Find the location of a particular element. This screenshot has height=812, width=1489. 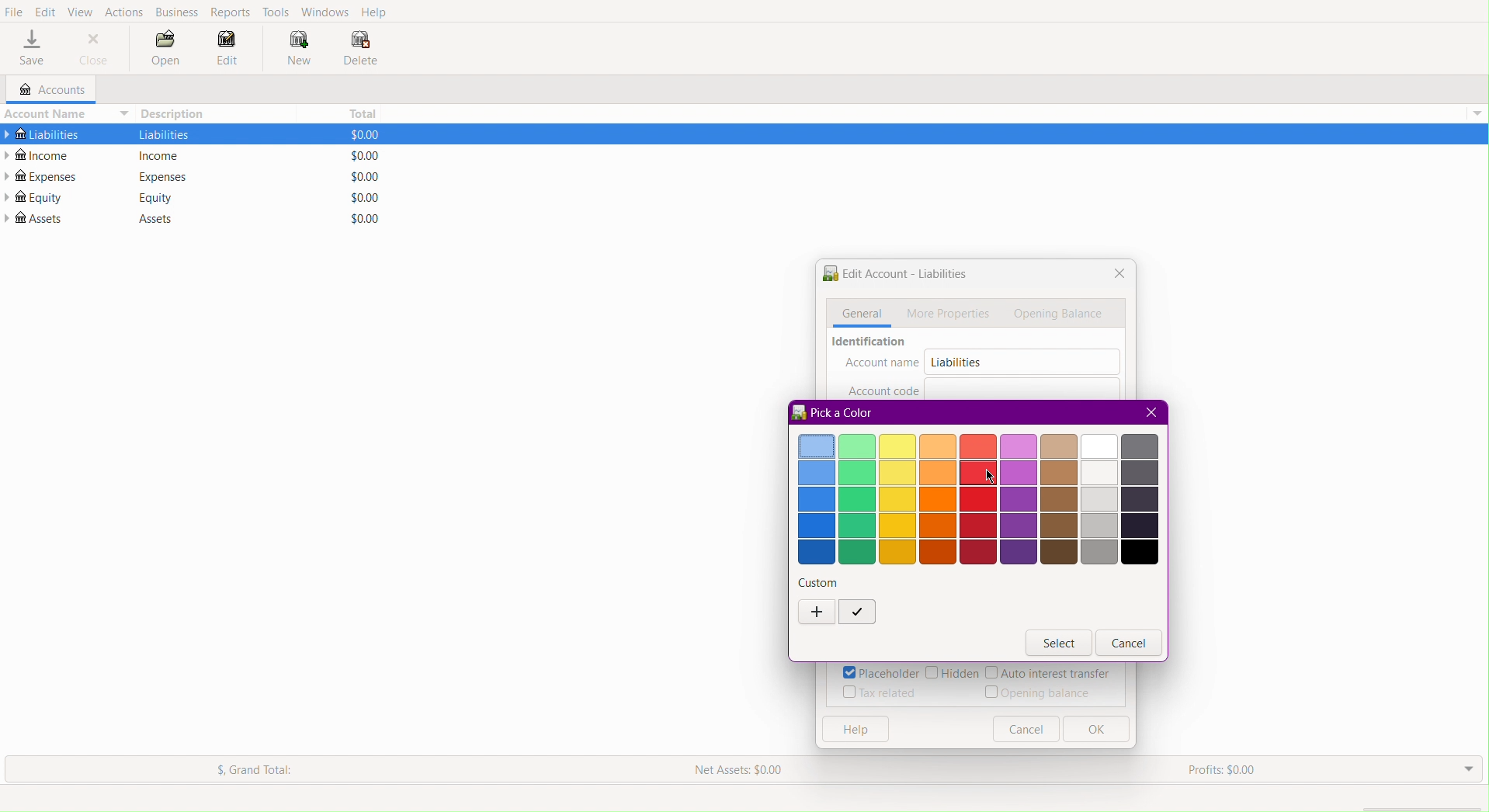

Description is located at coordinates (177, 113).